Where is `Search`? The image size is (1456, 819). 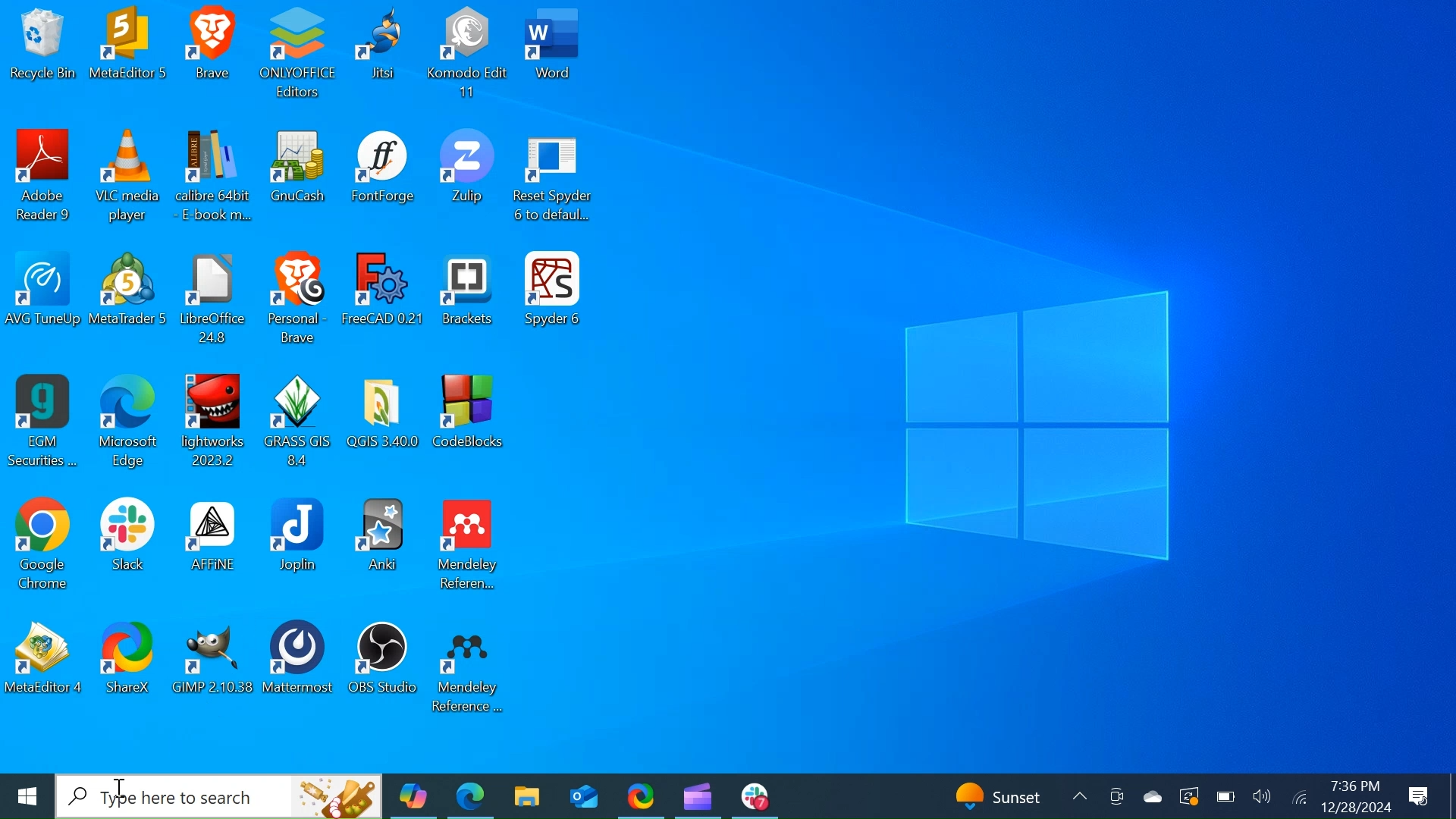
Search is located at coordinates (220, 796).